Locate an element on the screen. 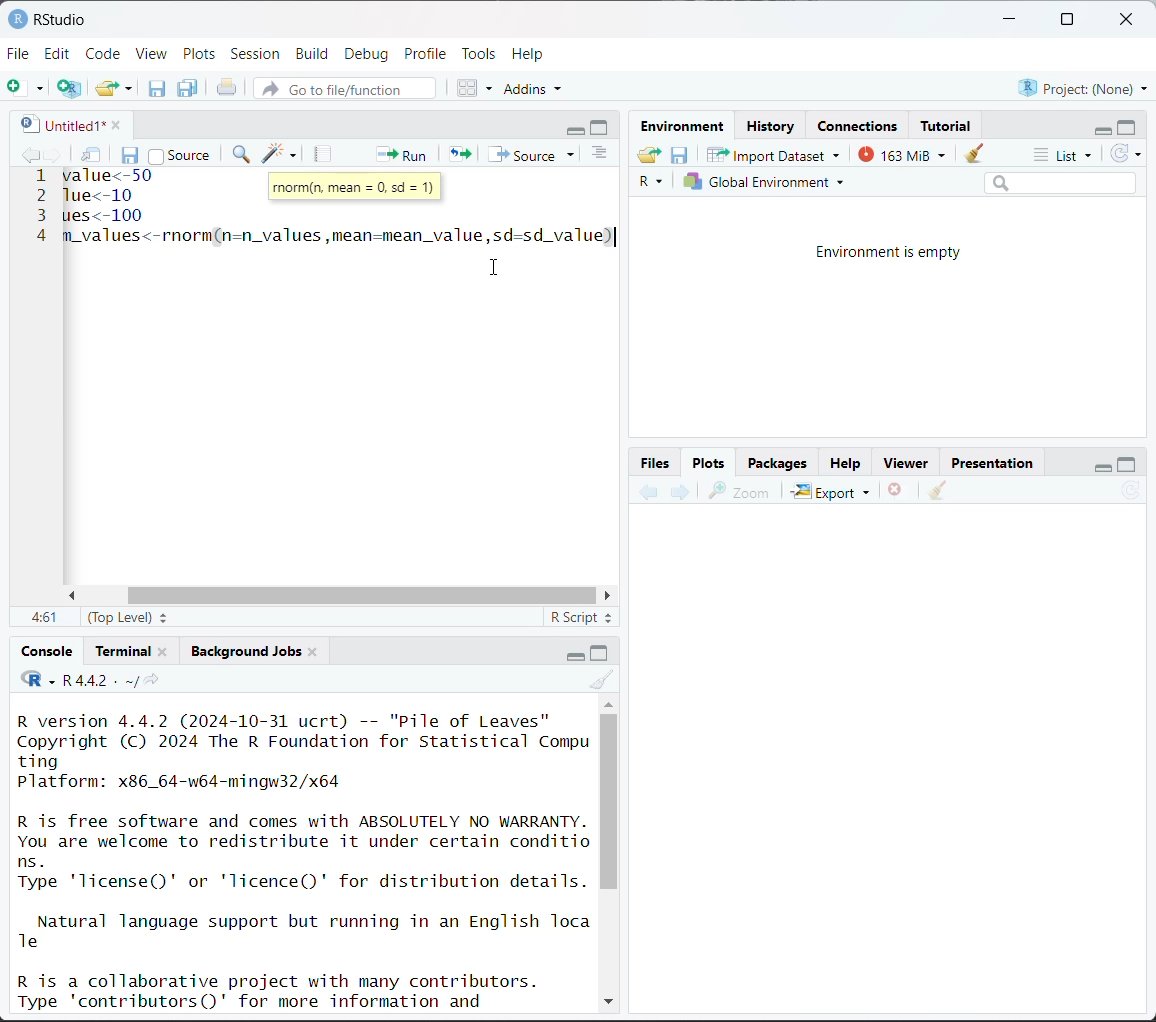 The image size is (1156, 1022). Connections is located at coordinates (860, 126).